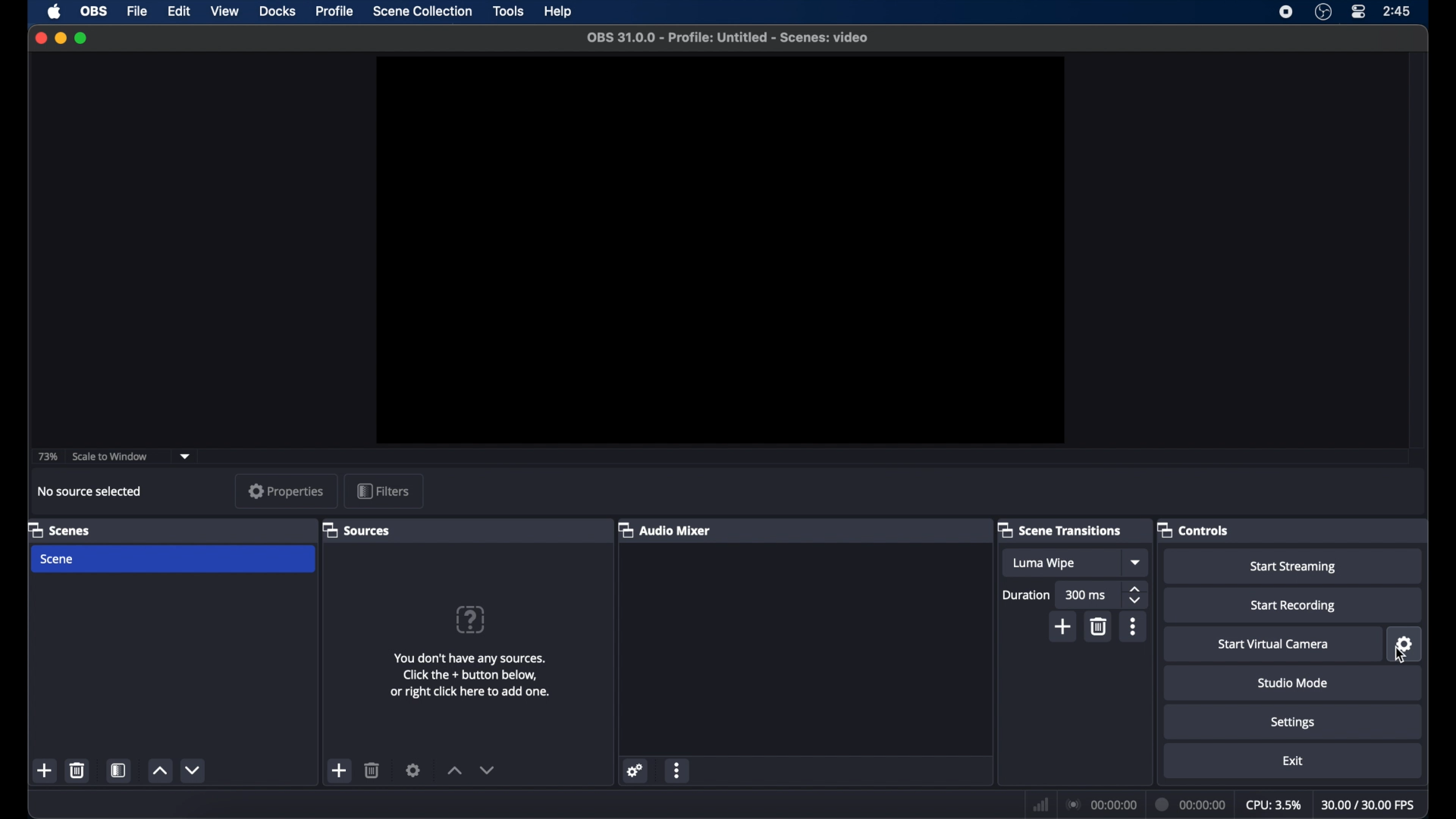 Image resolution: width=1456 pixels, height=819 pixels. Describe the element at coordinates (96, 11) in the screenshot. I see `obs` at that location.